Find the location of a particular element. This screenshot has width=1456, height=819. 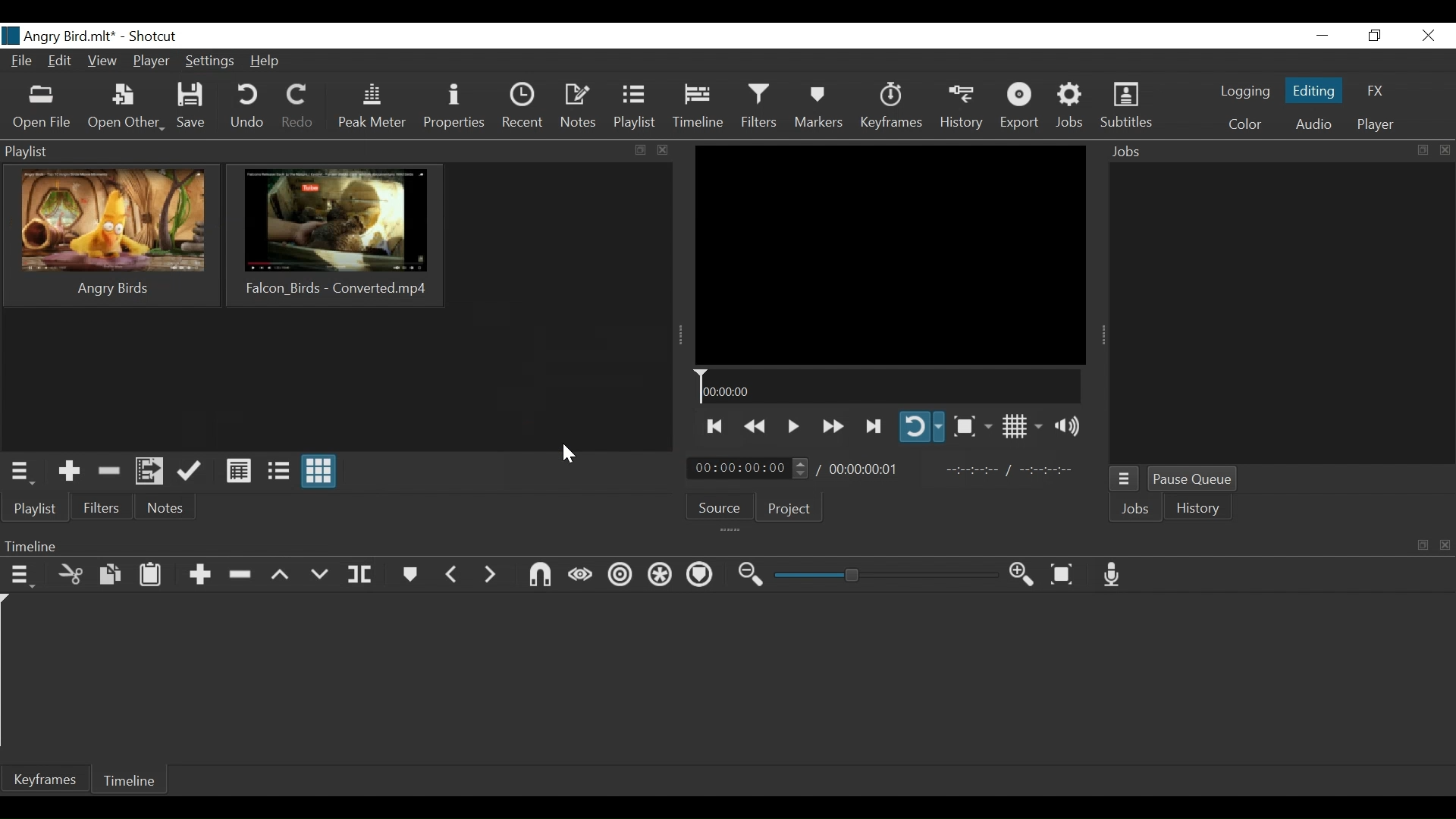

Play forward quickly is located at coordinates (833, 427).